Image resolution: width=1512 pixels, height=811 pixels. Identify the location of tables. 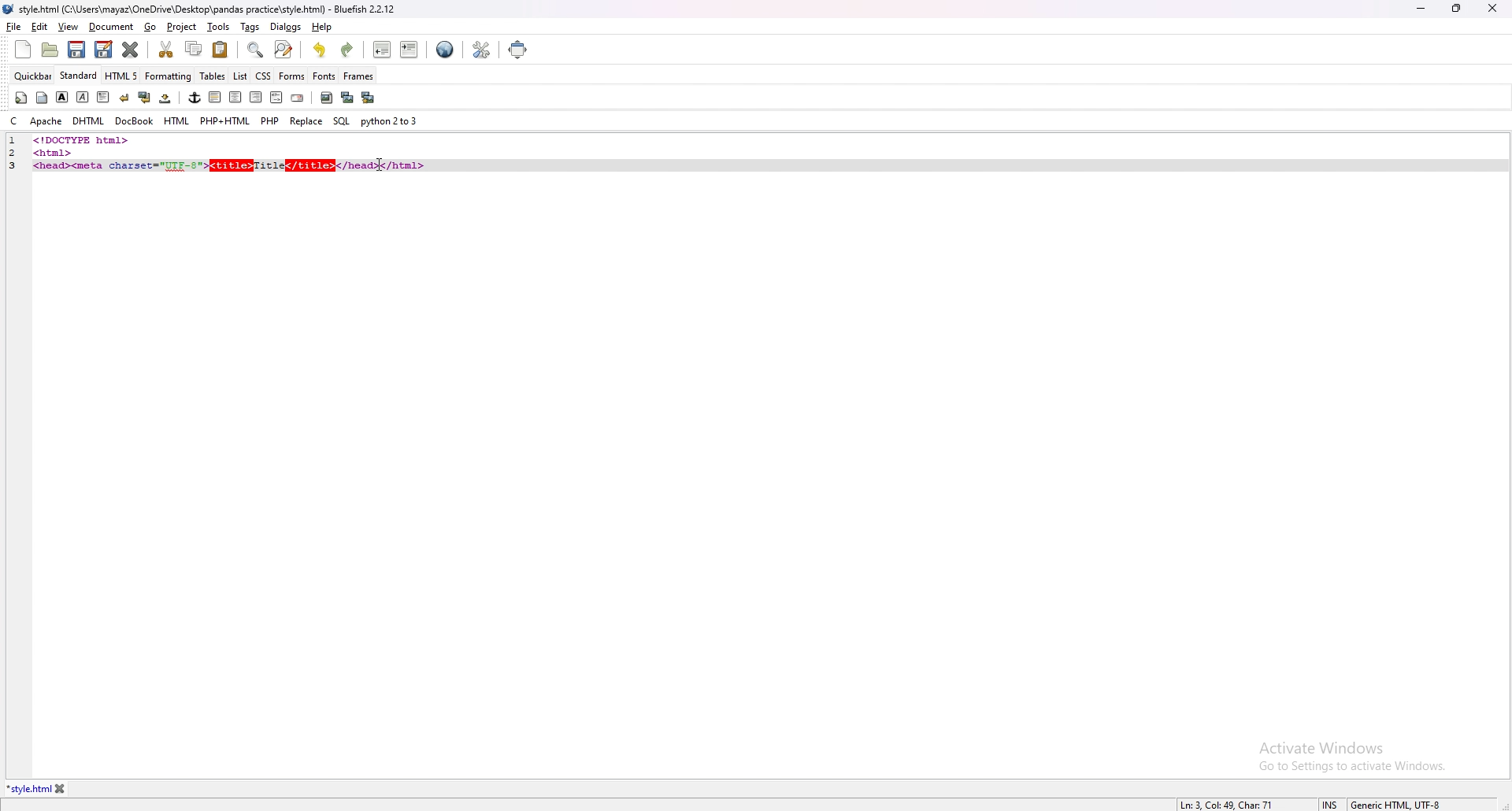
(213, 76).